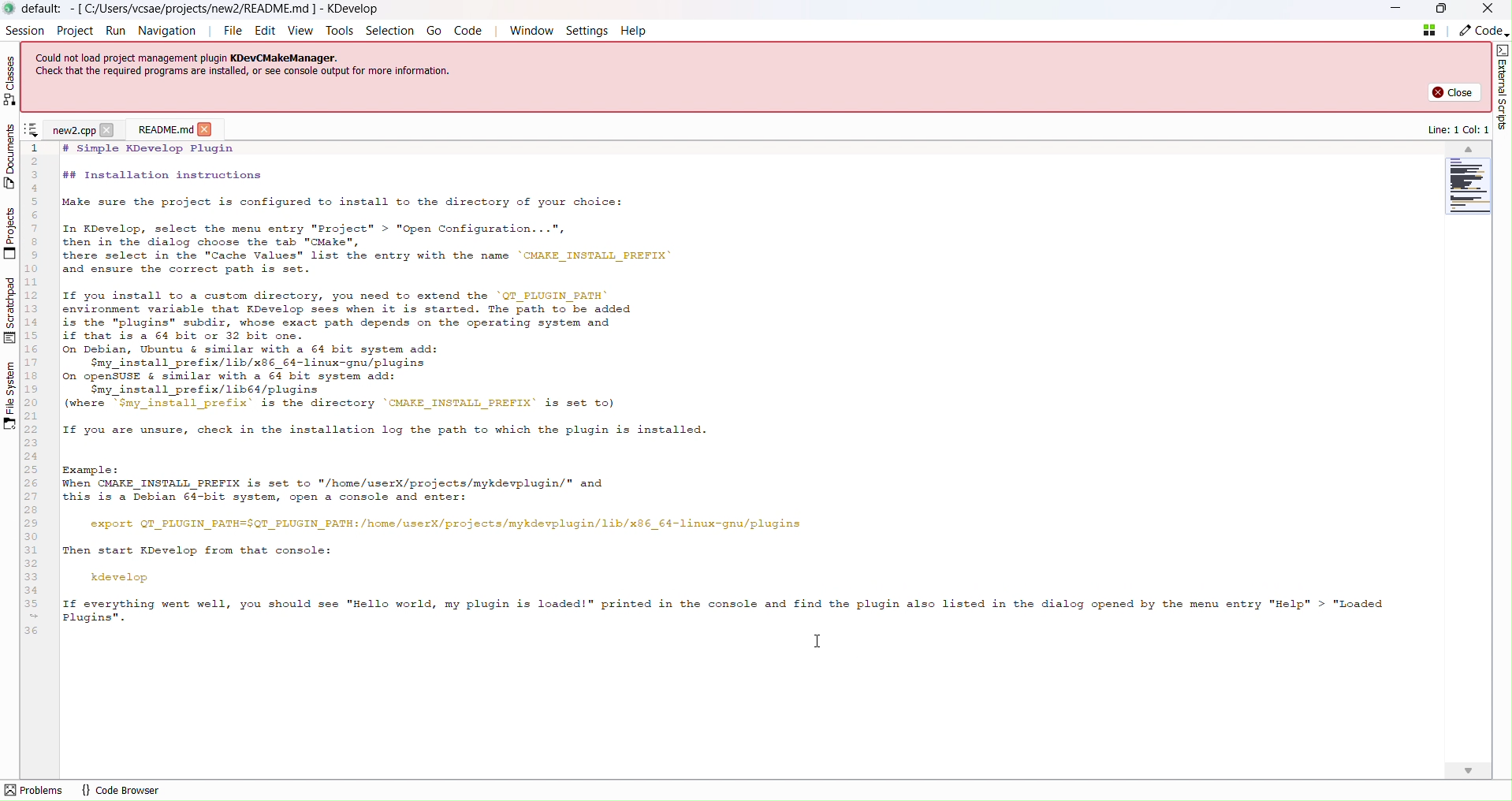 The width and height of the screenshot is (1512, 801). What do you see at coordinates (469, 31) in the screenshot?
I see `code` at bounding box center [469, 31].